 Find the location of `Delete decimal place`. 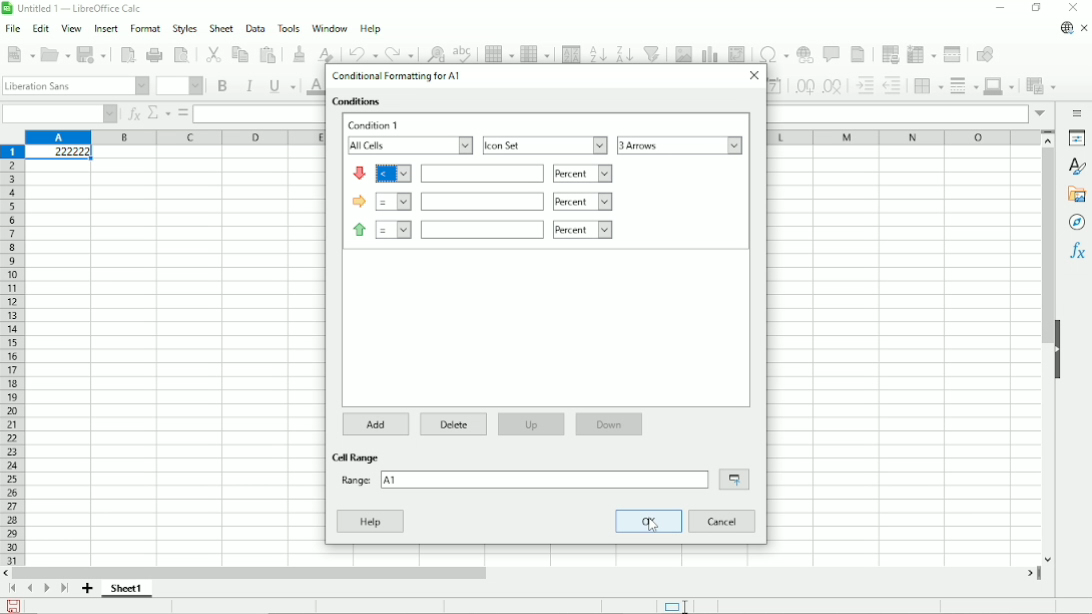

Delete decimal place is located at coordinates (834, 87).